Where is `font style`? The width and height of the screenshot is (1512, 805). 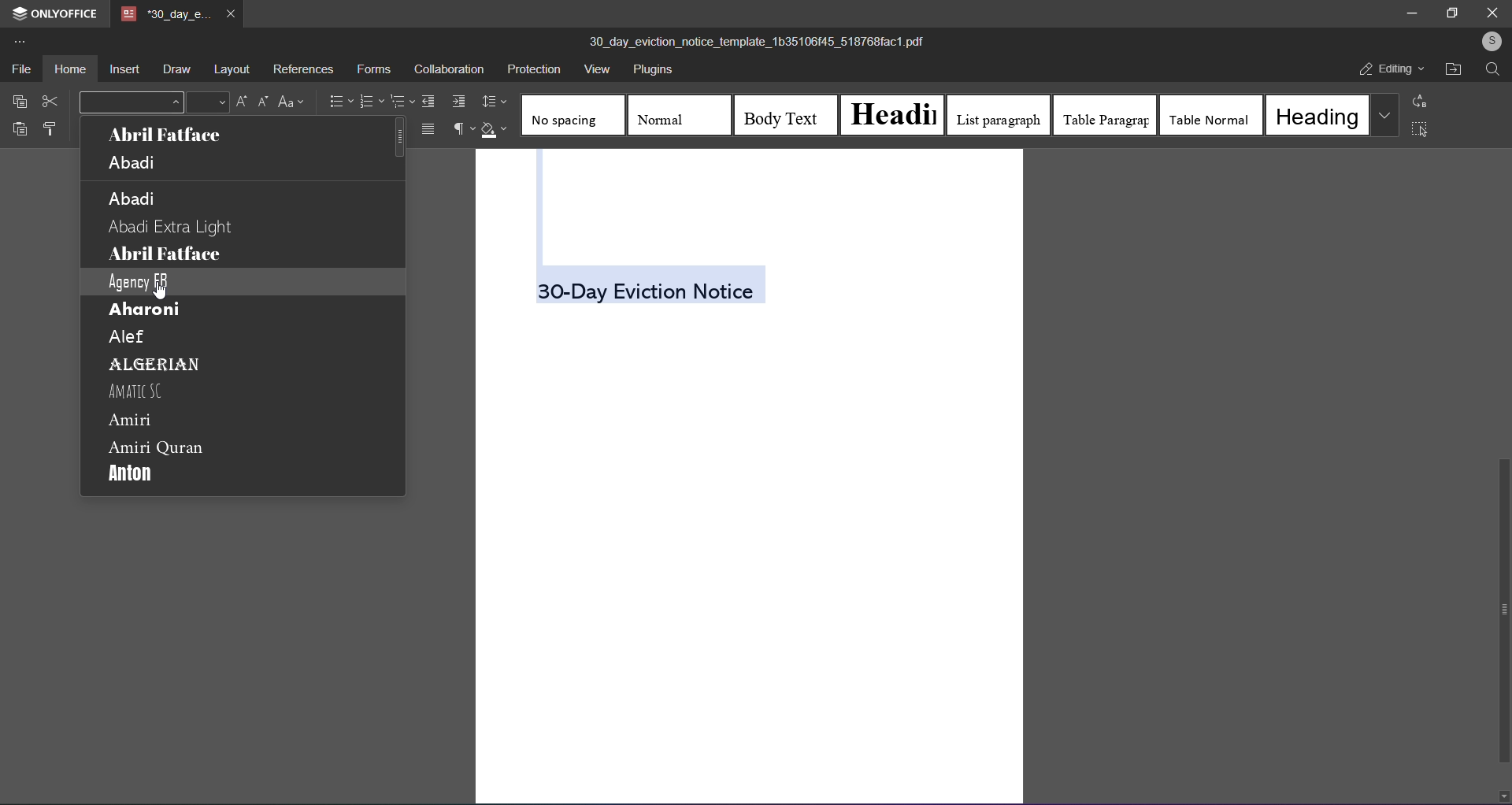 font style is located at coordinates (132, 102).